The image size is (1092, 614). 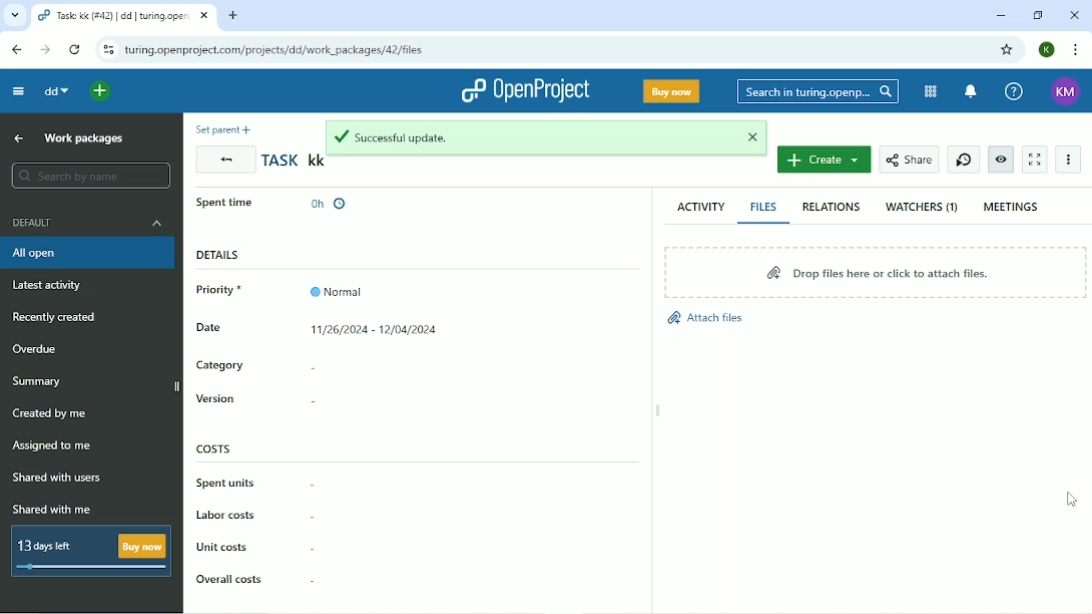 What do you see at coordinates (267, 400) in the screenshot?
I see `Version` at bounding box center [267, 400].